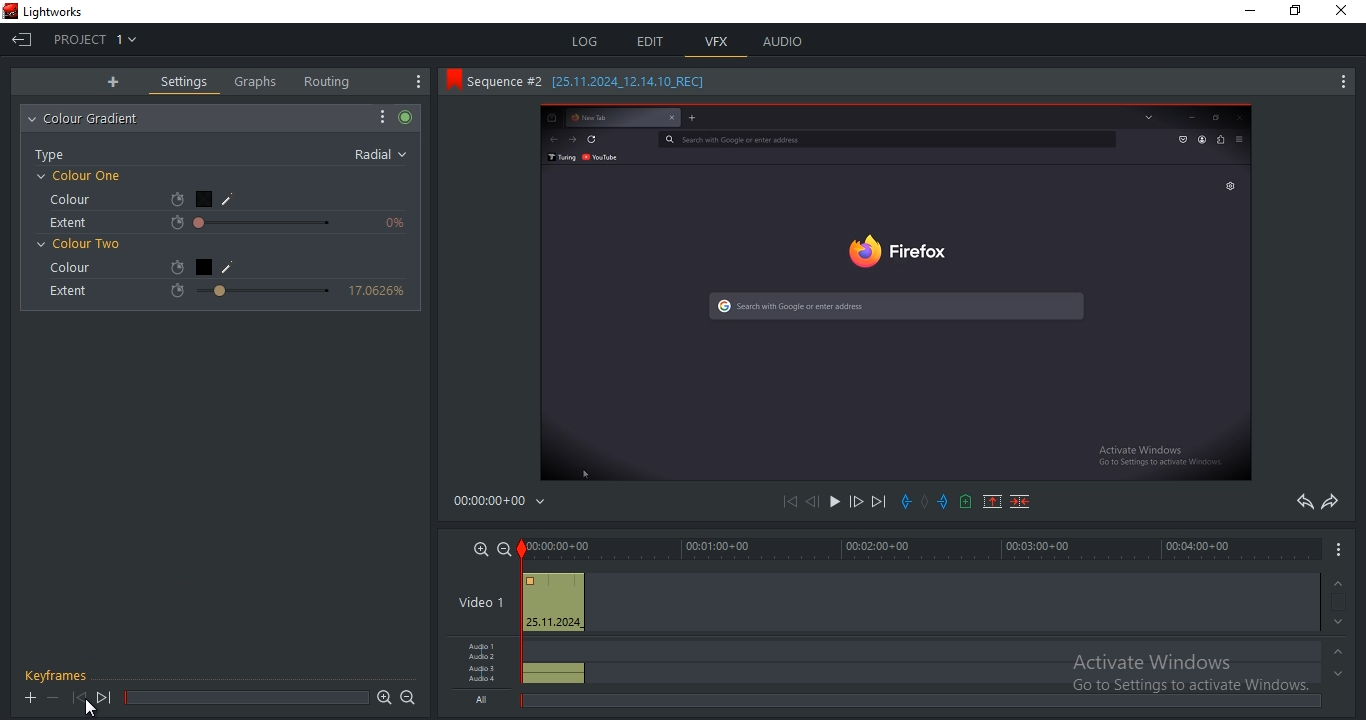 Image resolution: width=1366 pixels, height=720 pixels. I want to click on greyed out up arrow, so click(1342, 655).